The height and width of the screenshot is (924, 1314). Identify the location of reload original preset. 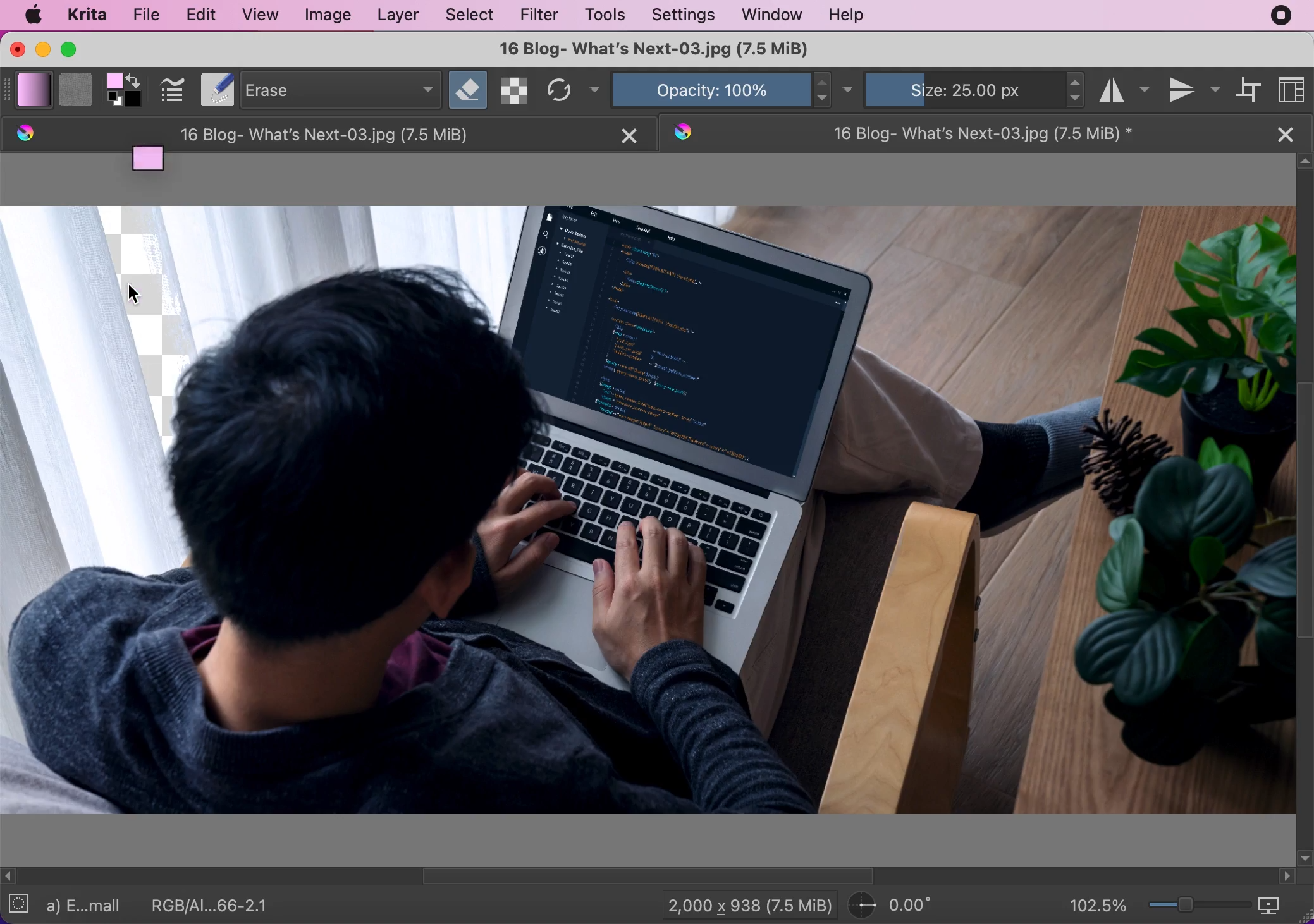
(557, 90).